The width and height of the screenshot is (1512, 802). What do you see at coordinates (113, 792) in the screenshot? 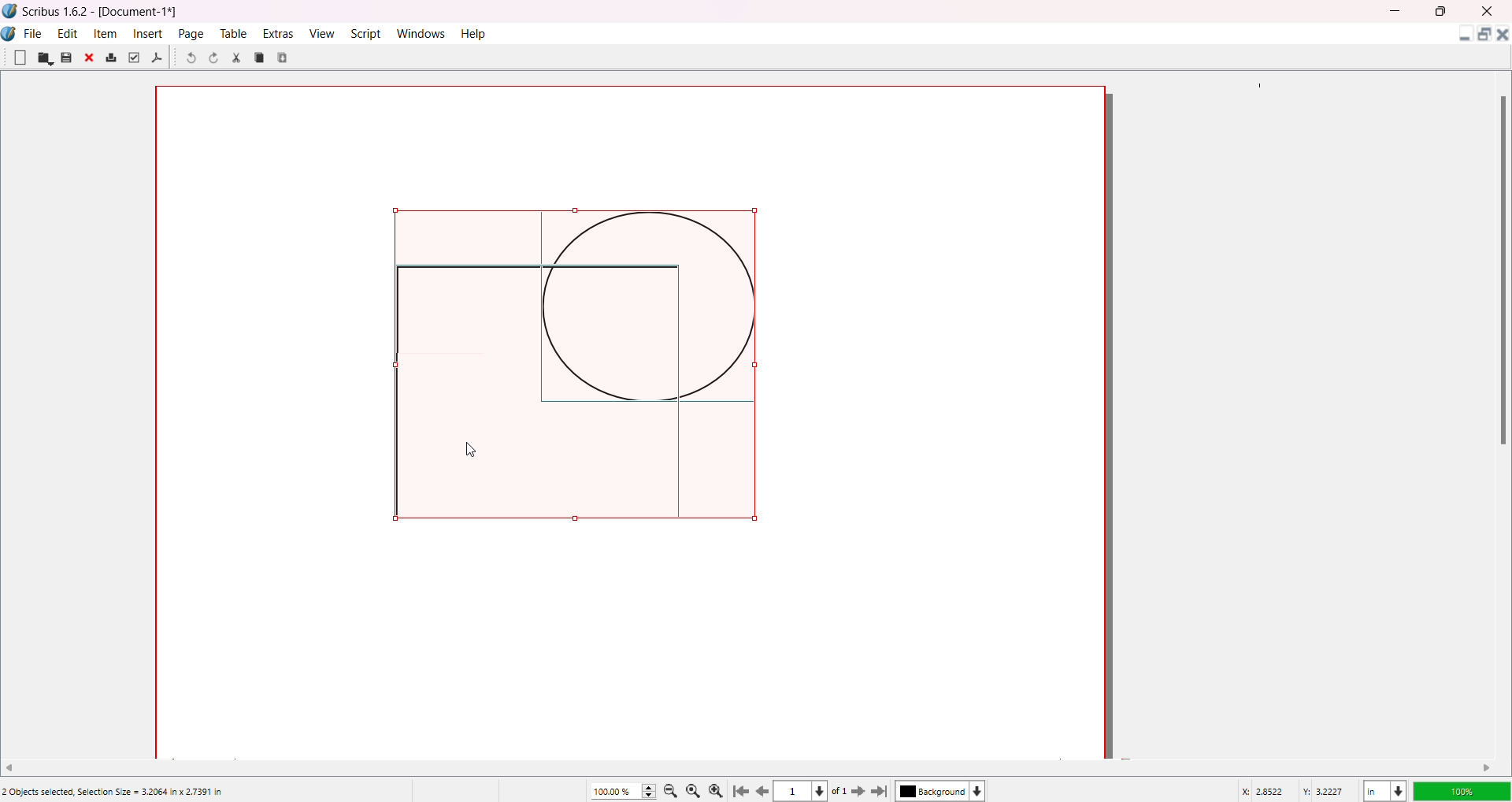
I see `2 Objects selected, Selection Size = 3.2064 in x 2.7391 in` at bounding box center [113, 792].